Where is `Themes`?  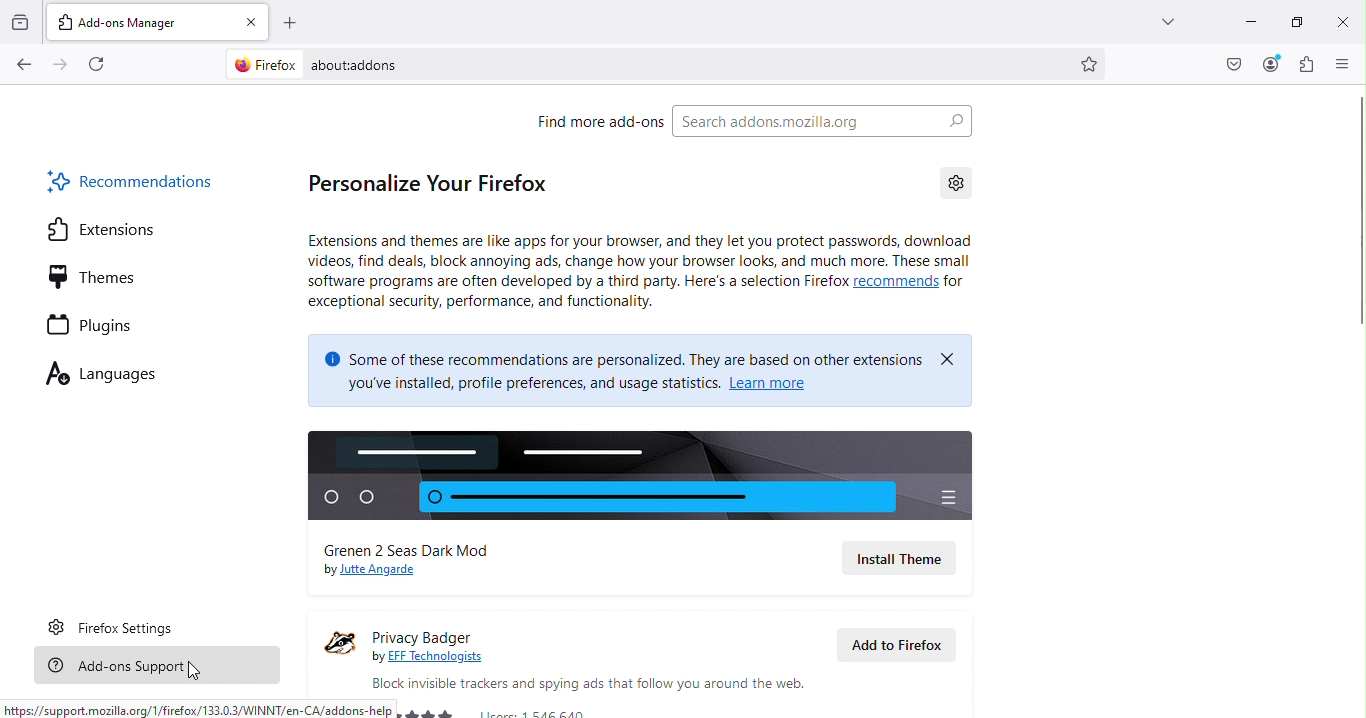
Themes is located at coordinates (88, 274).